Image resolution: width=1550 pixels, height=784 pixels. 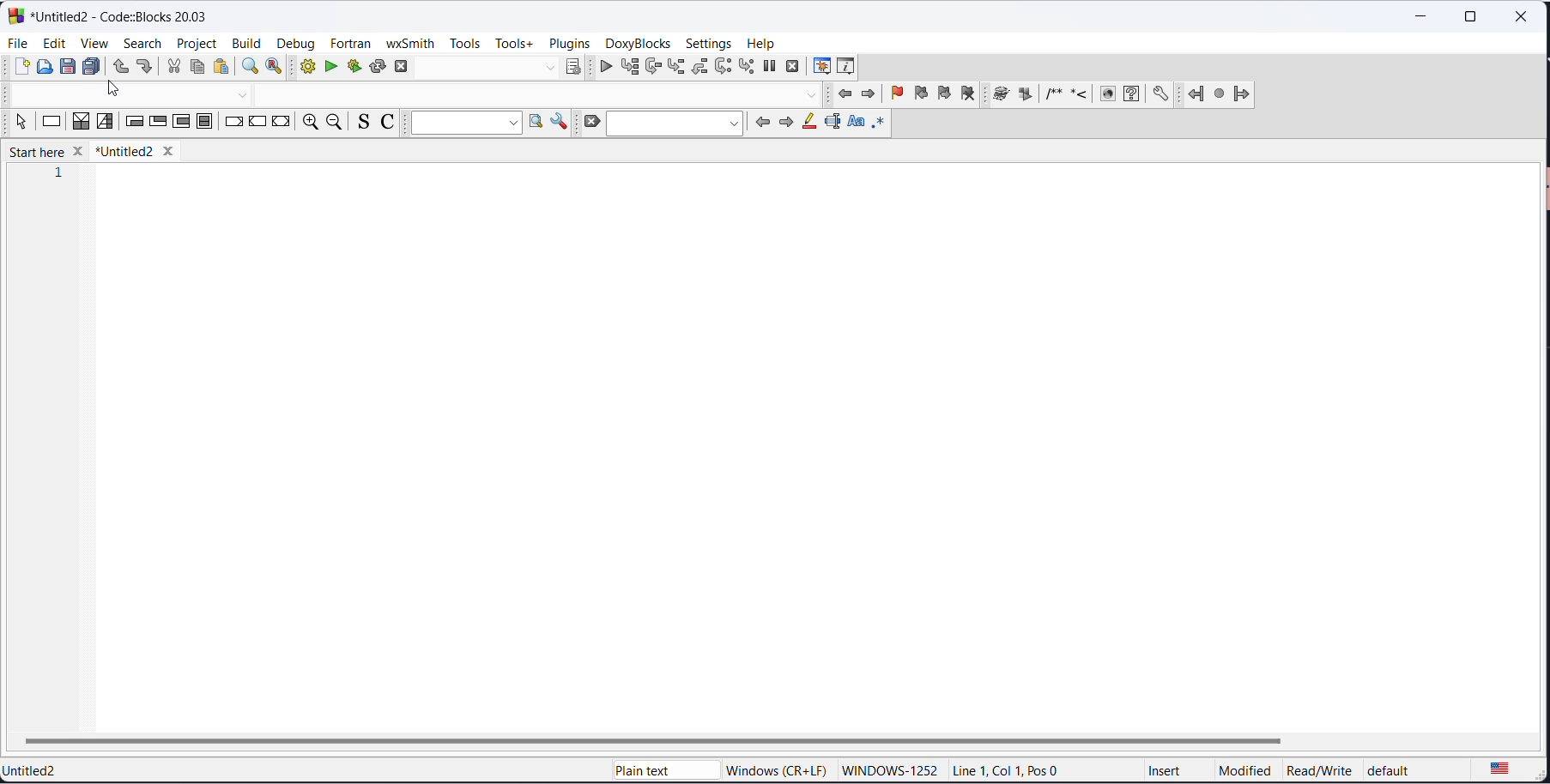 I want to click on start here tab, so click(x=42, y=150).